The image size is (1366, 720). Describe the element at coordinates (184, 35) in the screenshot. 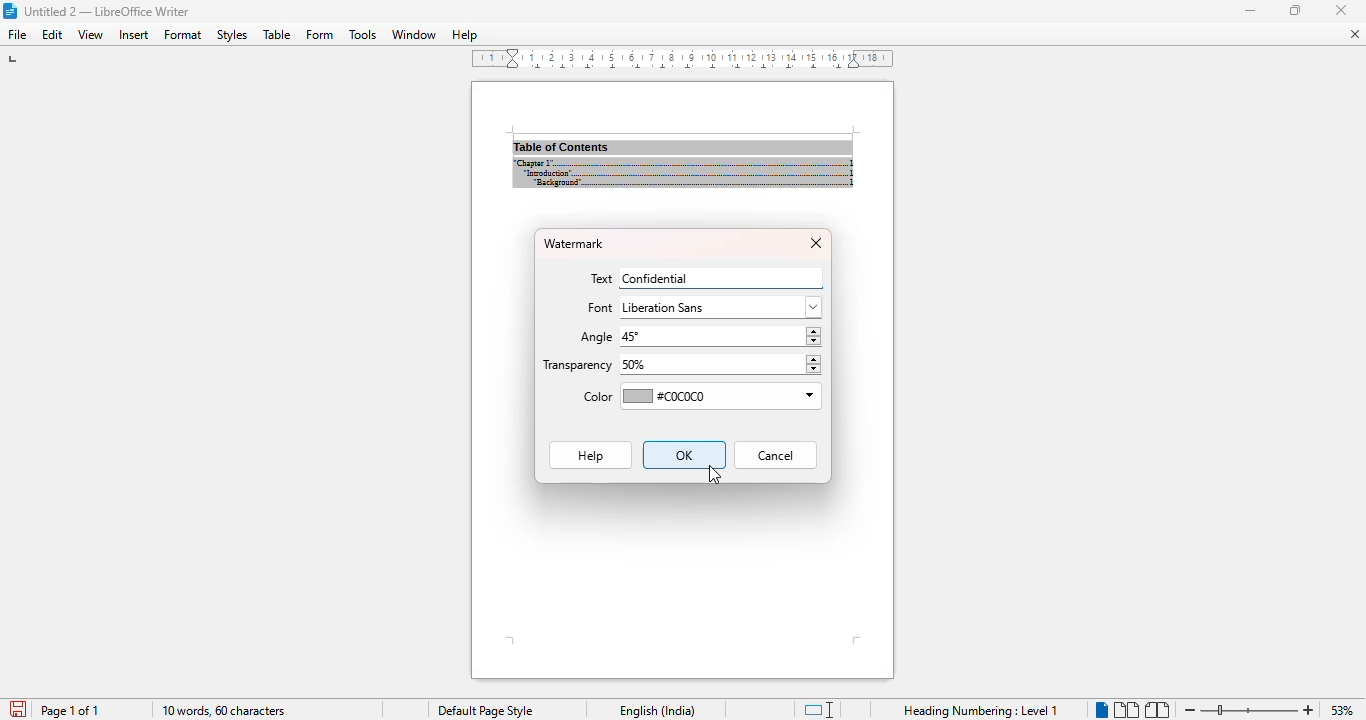

I see `format` at that location.